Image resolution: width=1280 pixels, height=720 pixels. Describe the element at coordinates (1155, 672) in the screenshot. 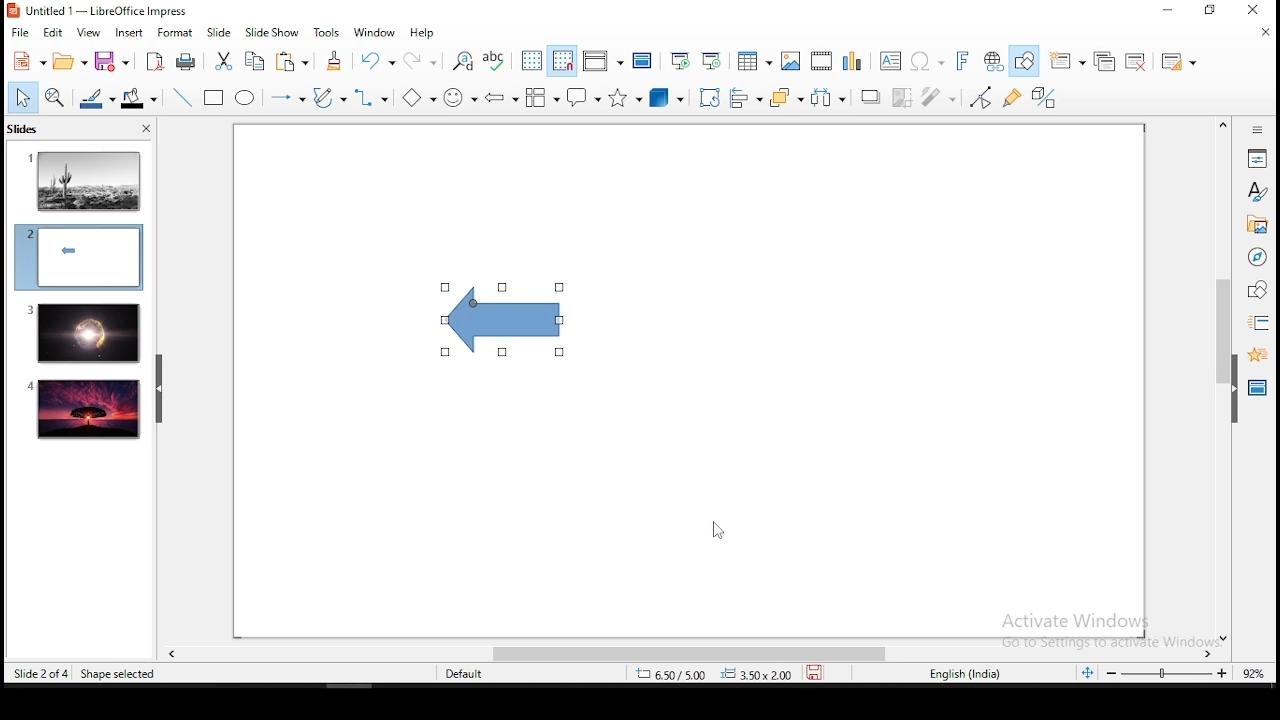

I see `zoom` at that location.